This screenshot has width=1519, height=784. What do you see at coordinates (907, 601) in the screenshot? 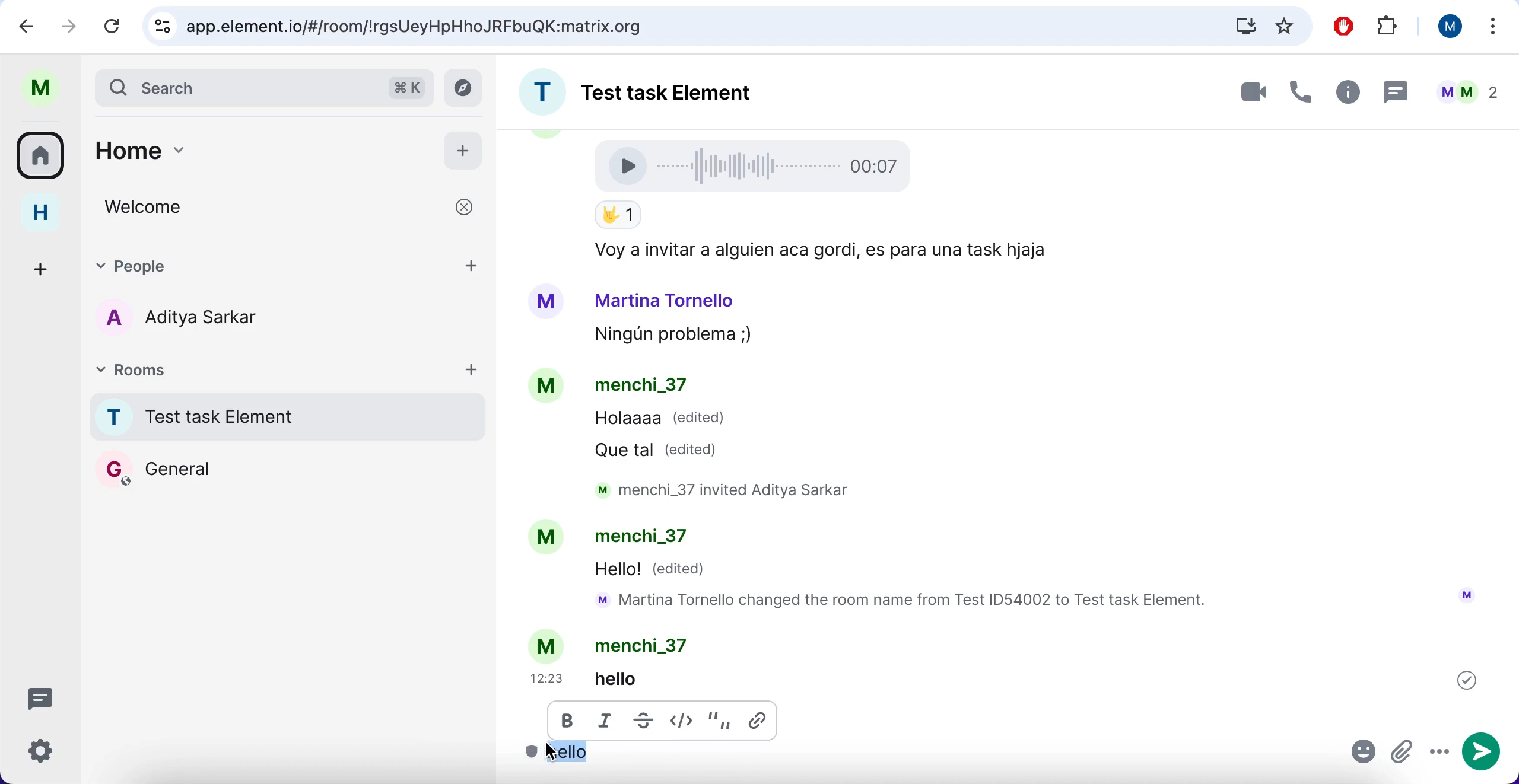
I see `mM Martina Tornello changed the room name from Test ID54002 to Test task Element.` at bounding box center [907, 601].